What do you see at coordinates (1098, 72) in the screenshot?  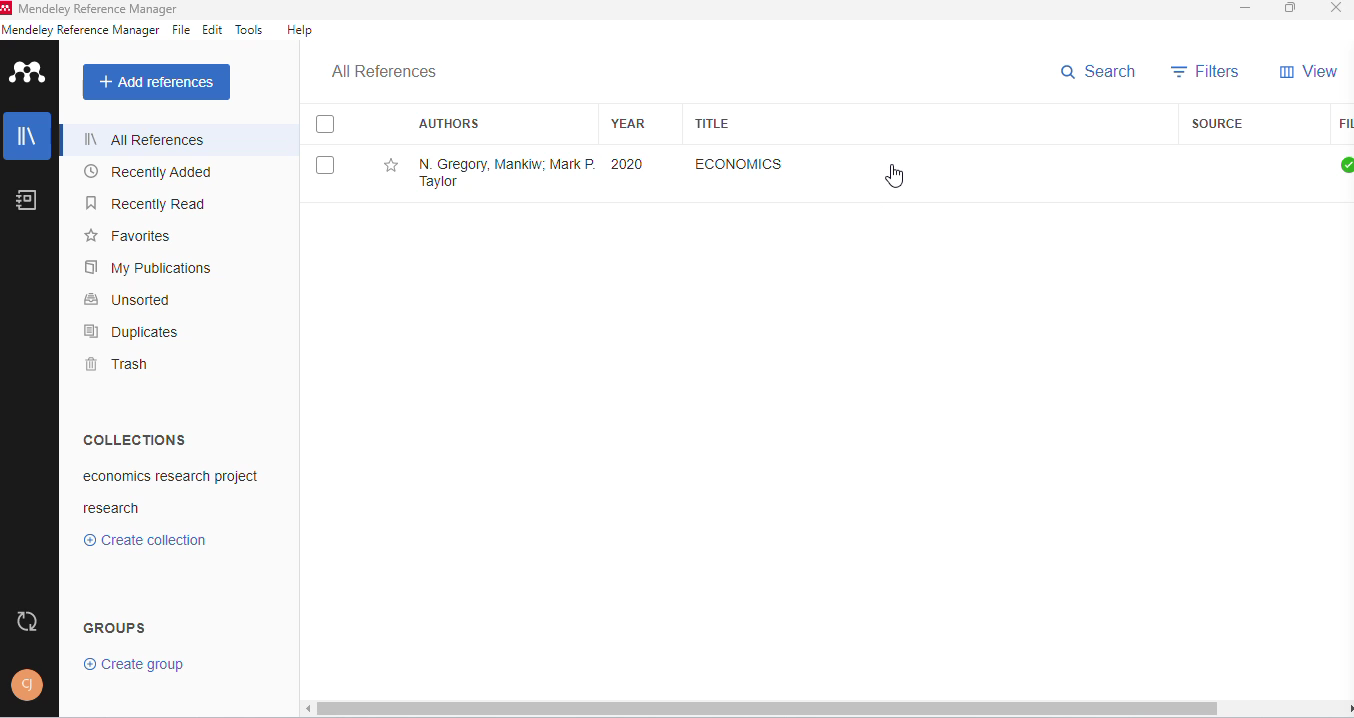 I see `search` at bounding box center [1098, 72].